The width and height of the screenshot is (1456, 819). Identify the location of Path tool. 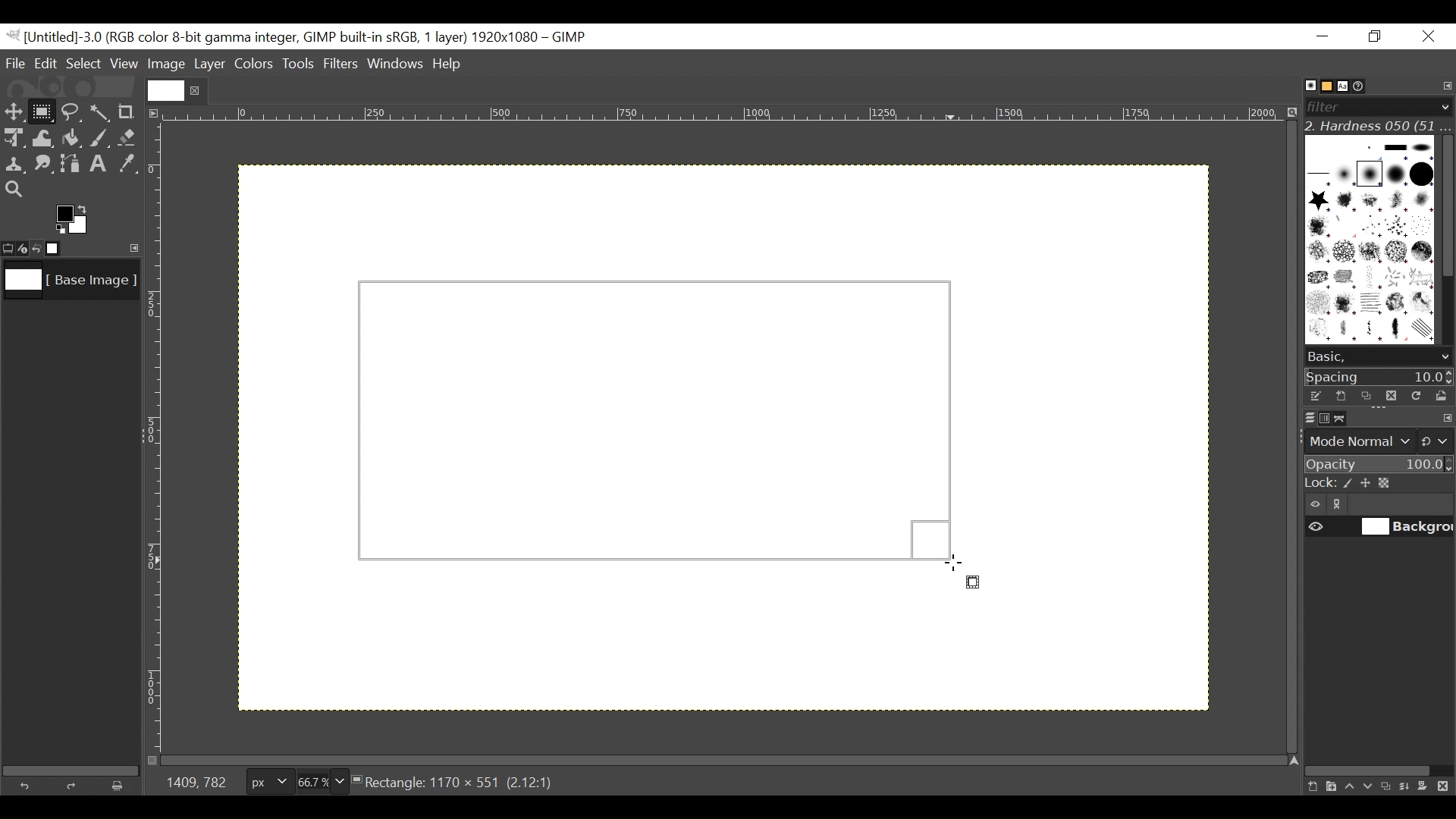
(72, 164).